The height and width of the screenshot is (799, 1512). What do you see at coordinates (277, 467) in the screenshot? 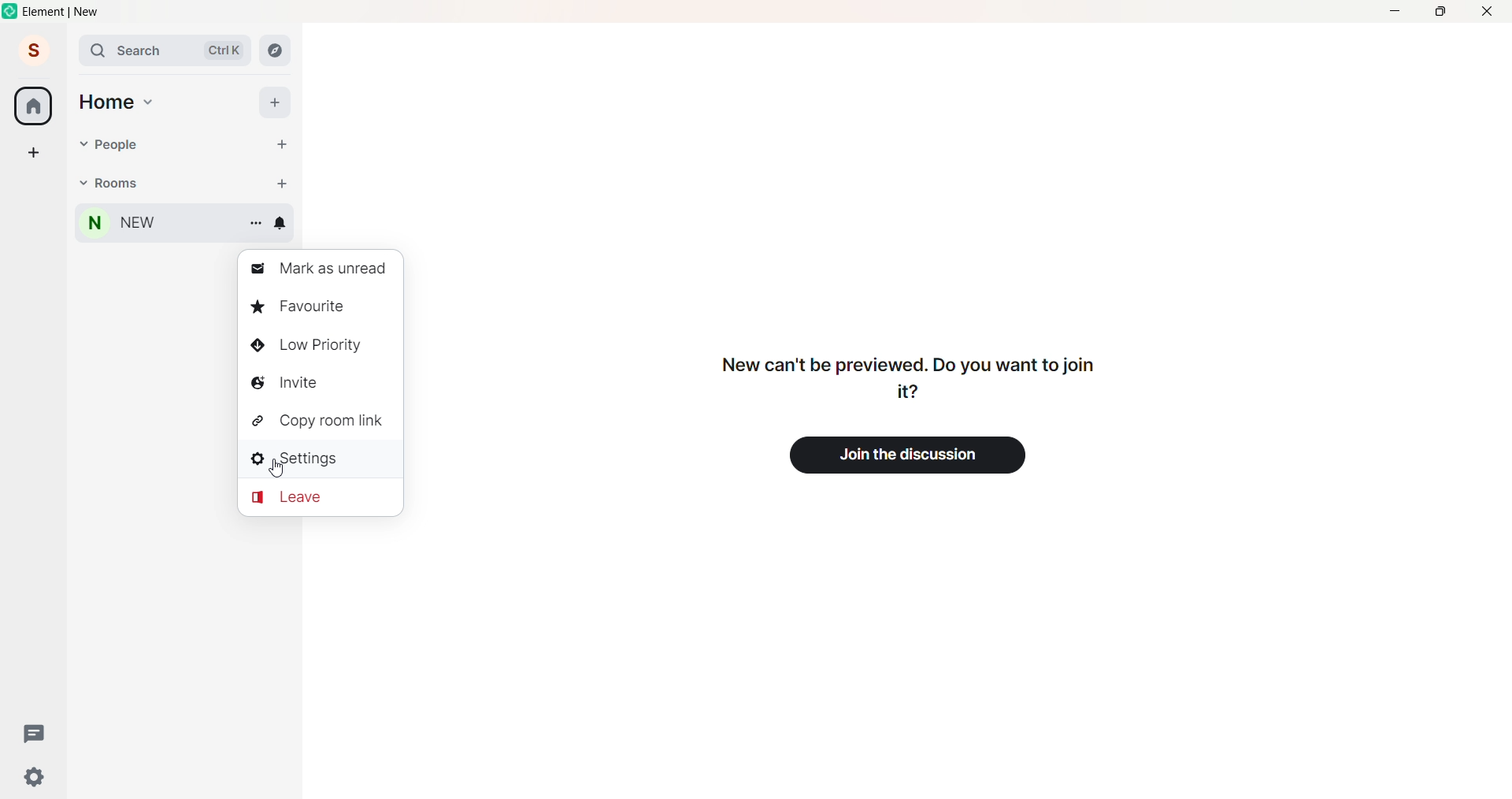
I see `cursor` at bounding box center [277, 467].